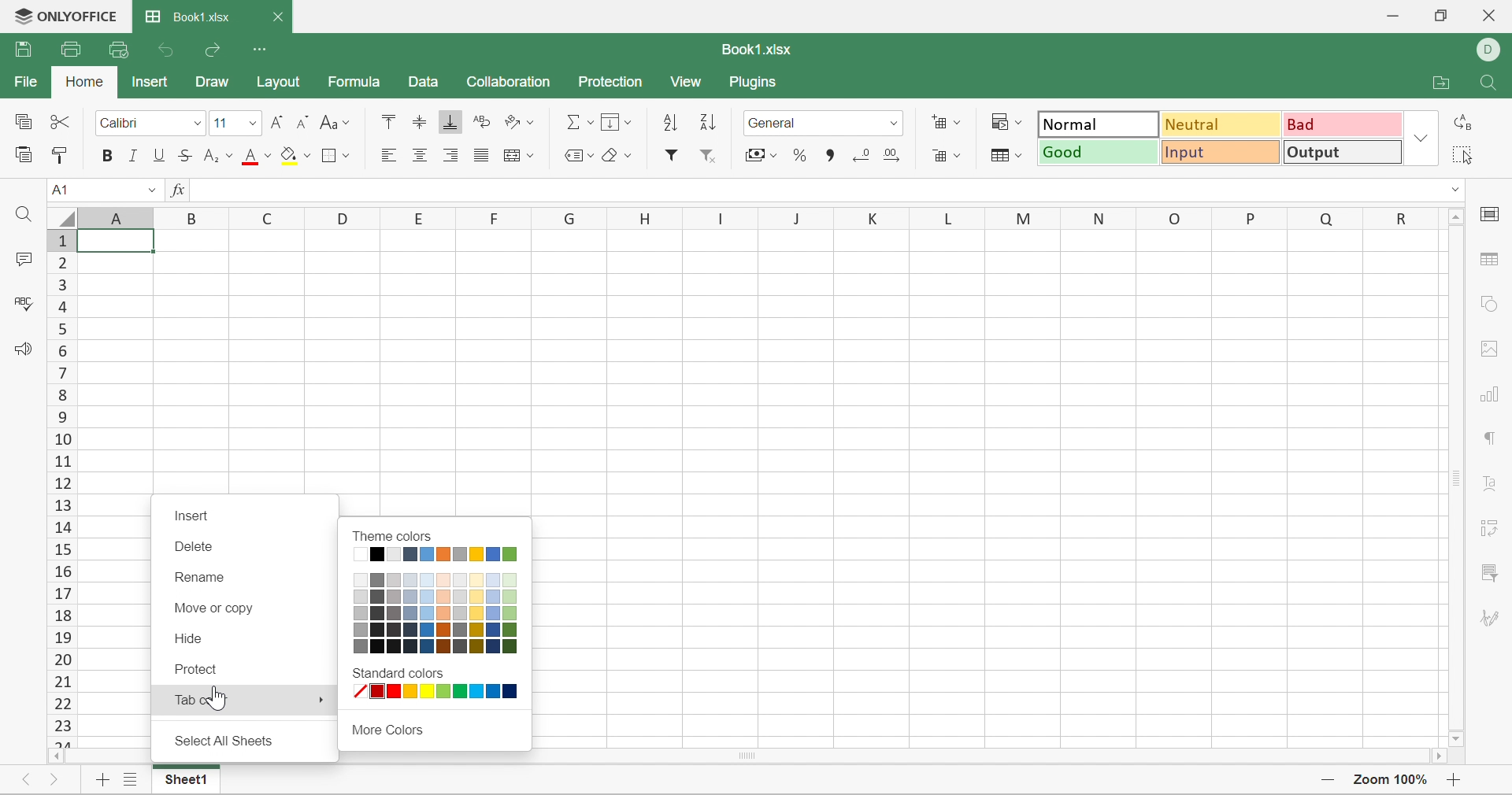  I want to click on 7, so click(60, 372).